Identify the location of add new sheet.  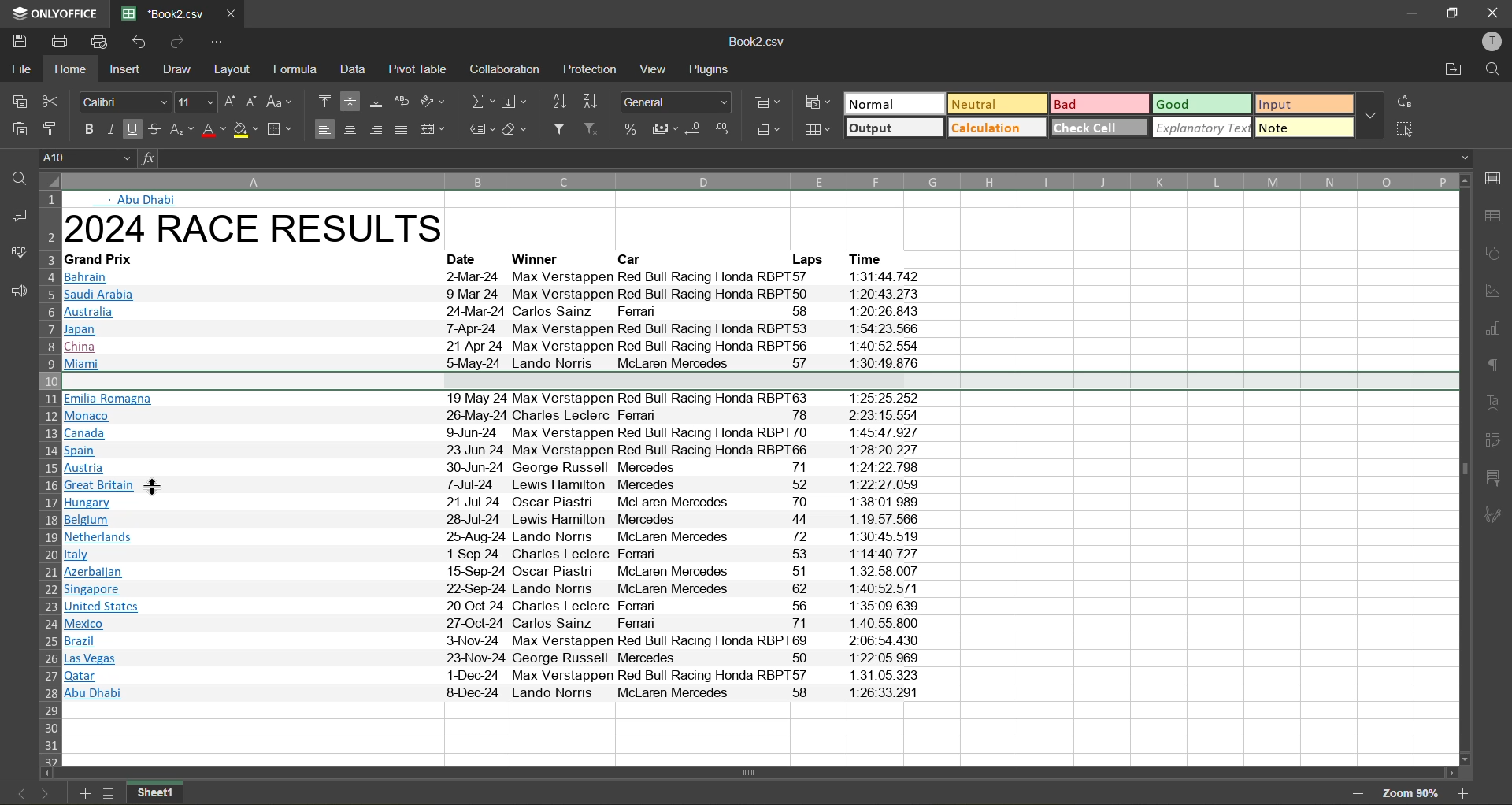
(86, 793).